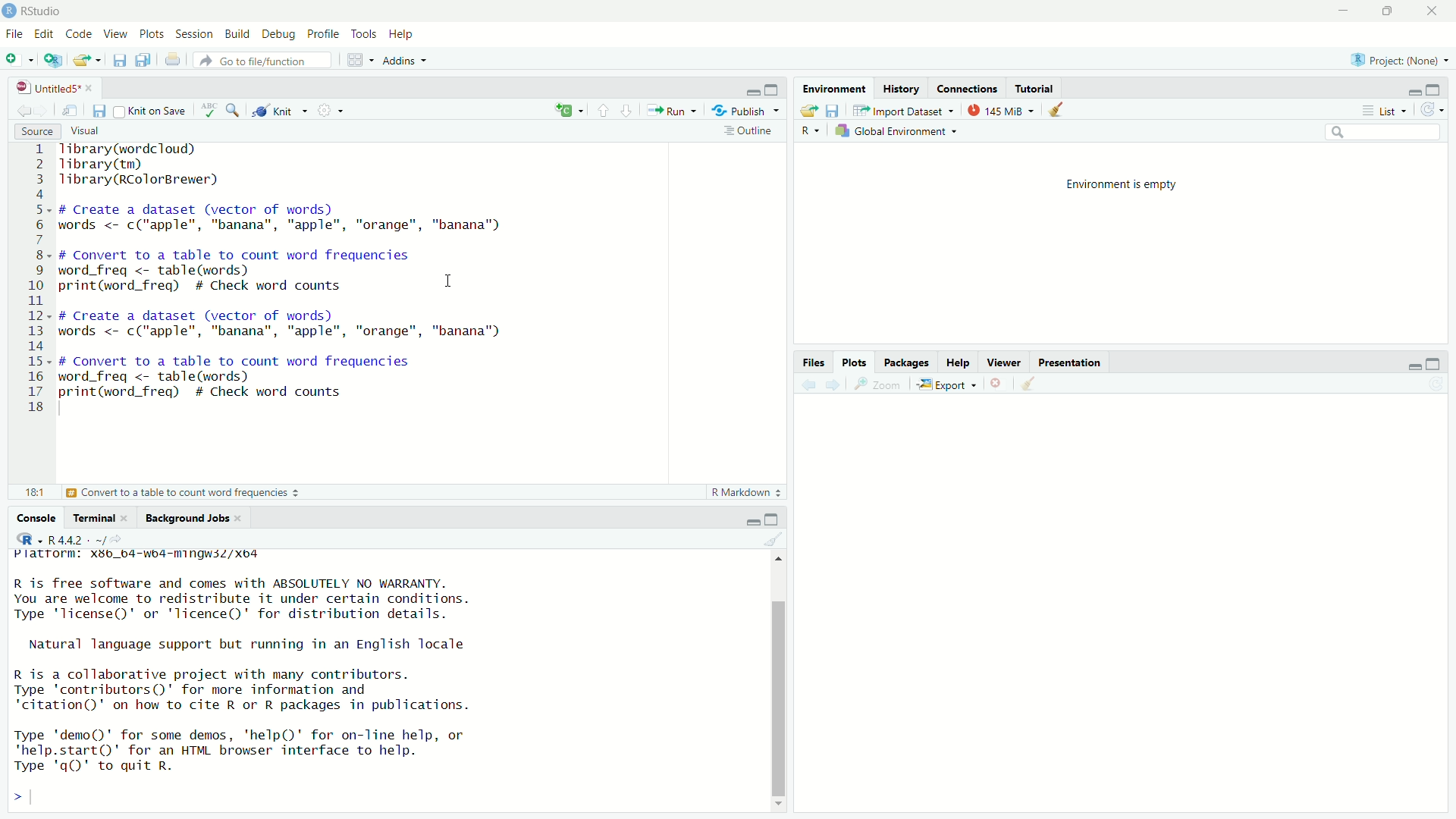 The height and width of the screenshot is (819, 1456). What do you see at coordinates (949, 384) in the screenshot?
I see `Export` at bounding box center [949, 384].